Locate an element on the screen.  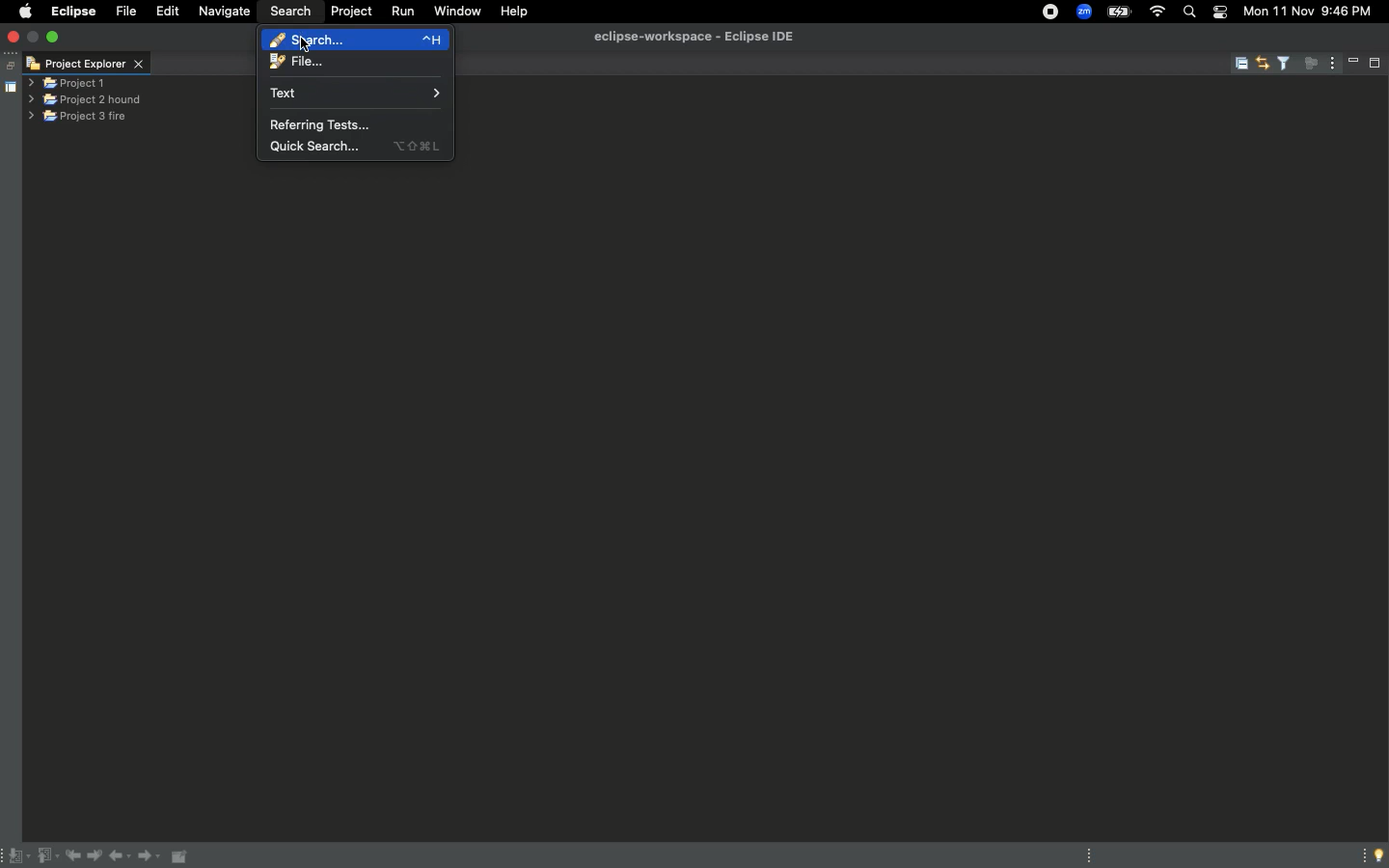
Window is located at coordinates (458, 12).